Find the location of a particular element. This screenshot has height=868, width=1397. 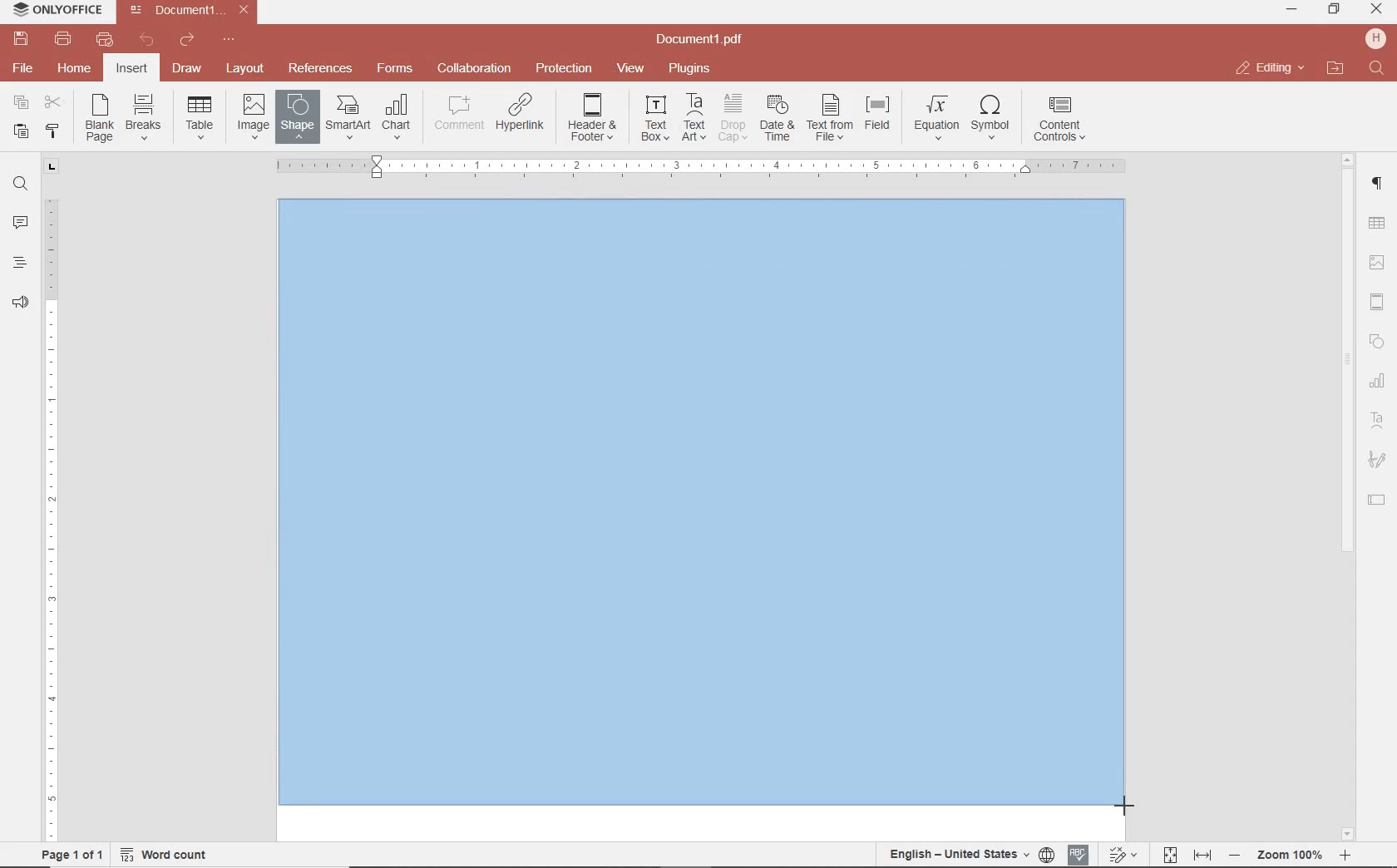

file name is located at coordinates (704, 40).